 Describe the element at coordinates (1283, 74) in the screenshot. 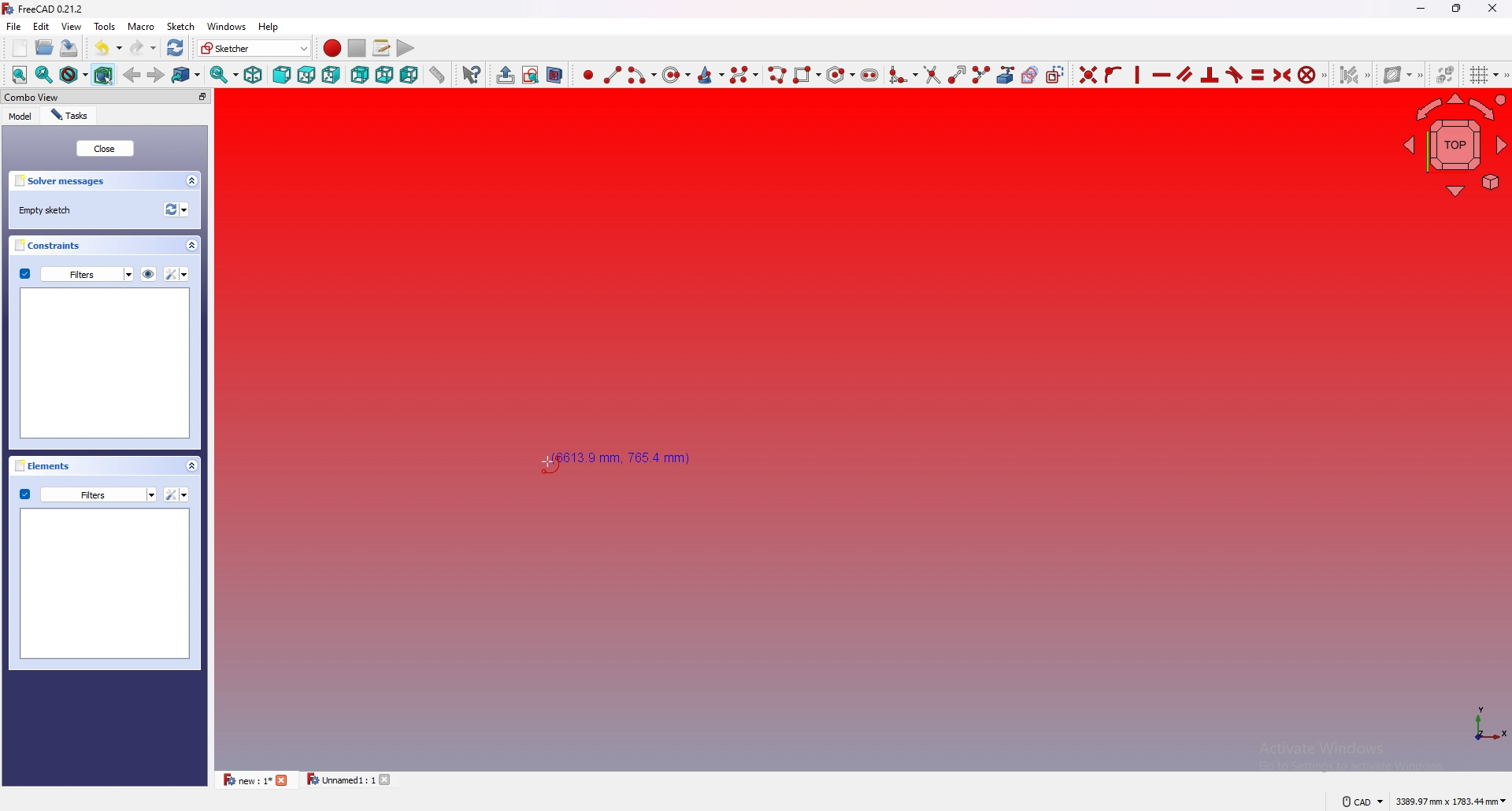

I see `constrain symmetrical` at that location.